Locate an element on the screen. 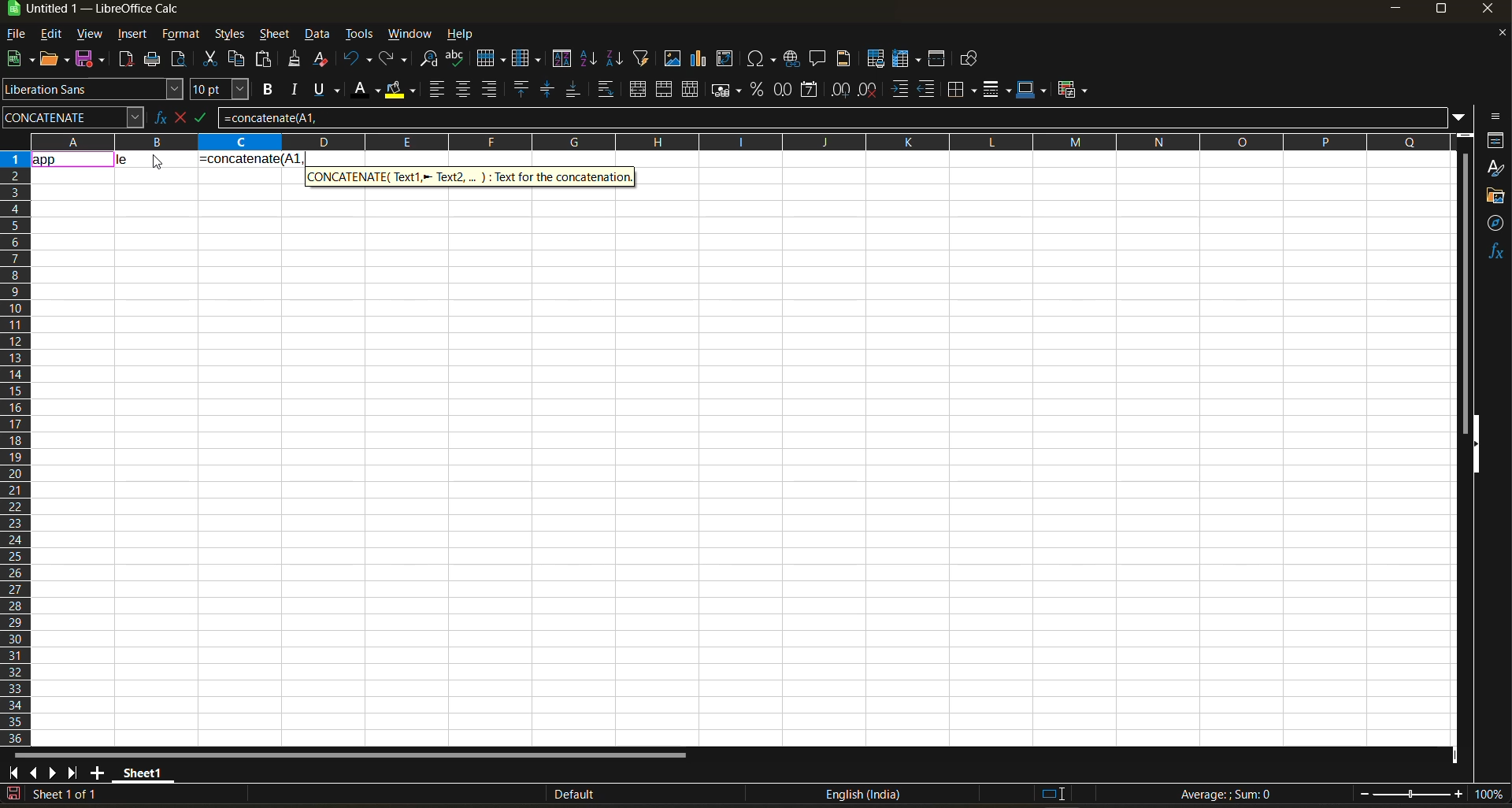 This screenshot has width=1512, height=808. align right is located at coordinates (491, 90).